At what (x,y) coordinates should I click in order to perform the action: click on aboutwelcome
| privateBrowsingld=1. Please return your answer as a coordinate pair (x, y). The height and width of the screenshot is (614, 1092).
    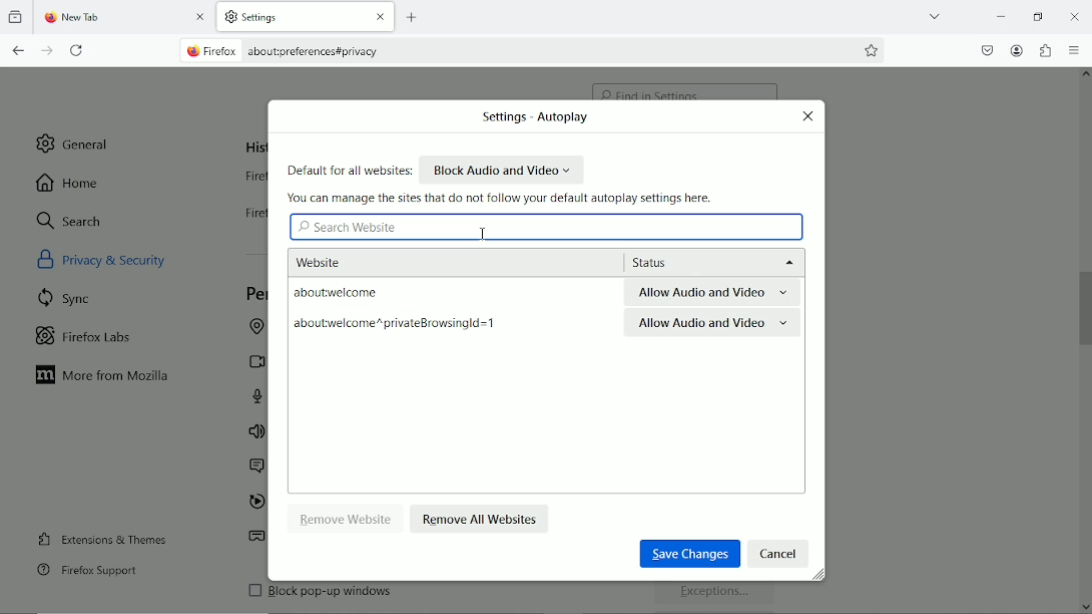
    Looking at the image, I should click on (395, 325).